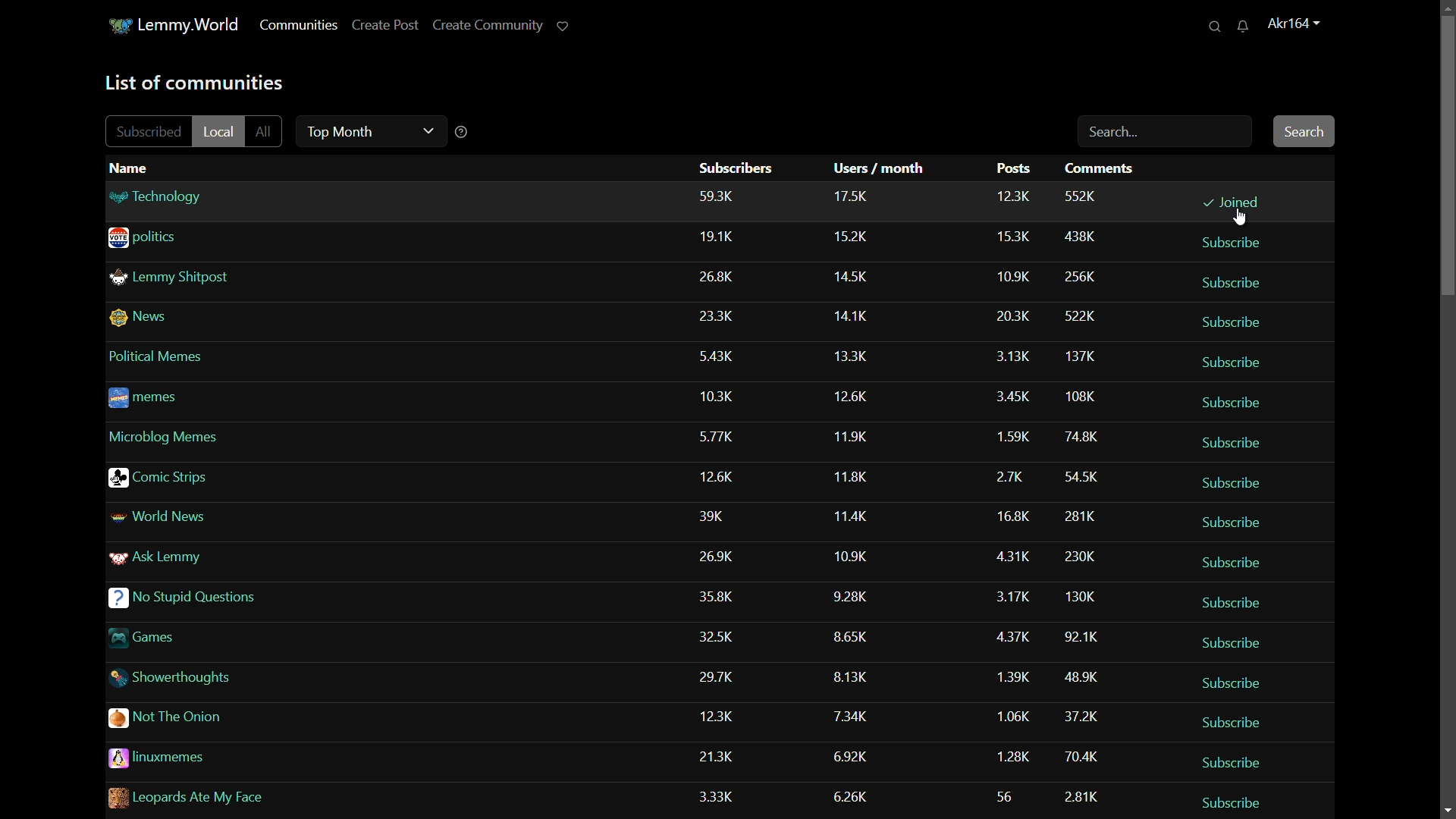  Describe the element at coordinates (717, 435) in the screenshot. I see `` at that location.